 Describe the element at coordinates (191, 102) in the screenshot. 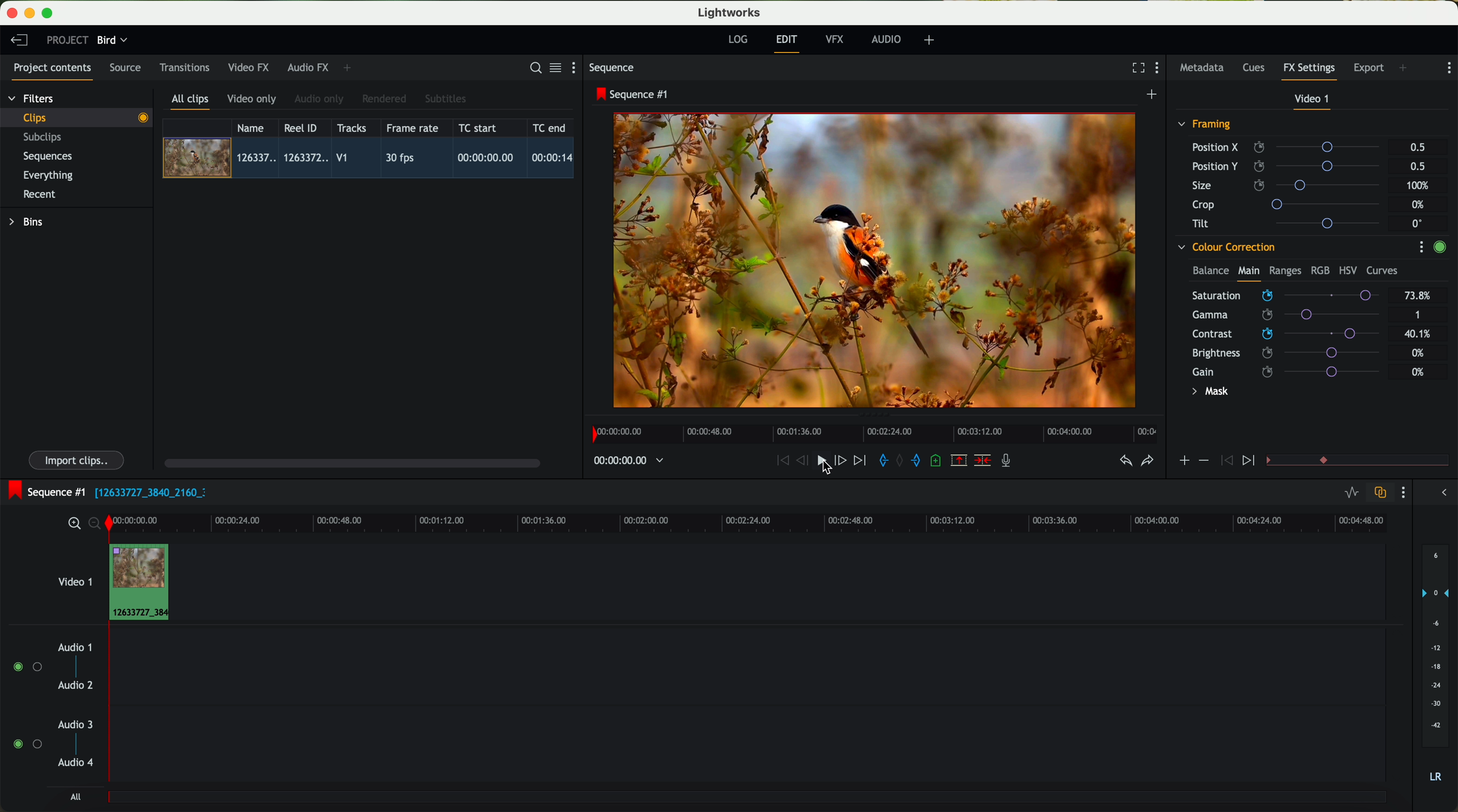

I see `all clips` at that location.